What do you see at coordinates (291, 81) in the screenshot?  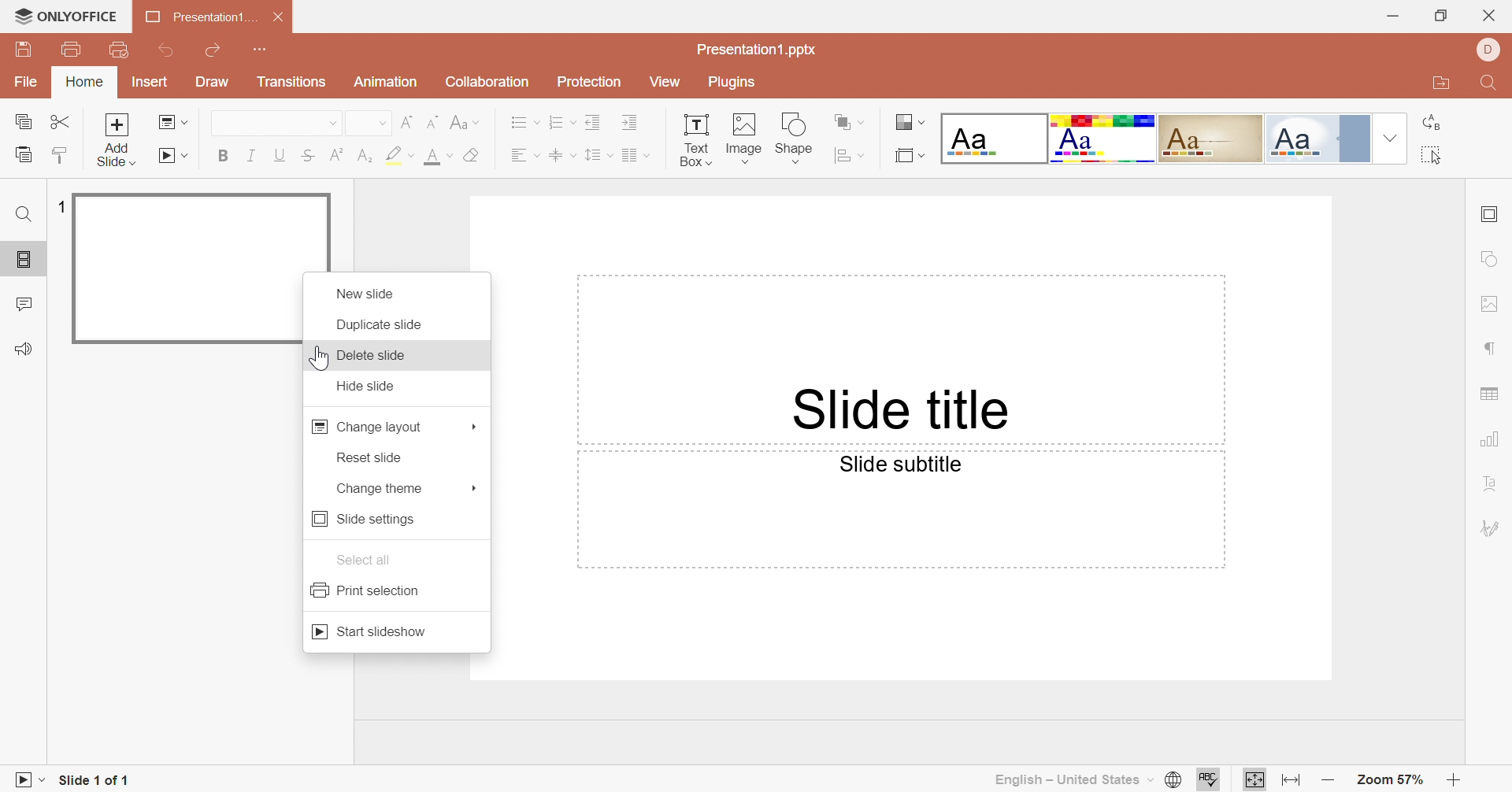 I see `Transitions` at bounding box center [291, 81].